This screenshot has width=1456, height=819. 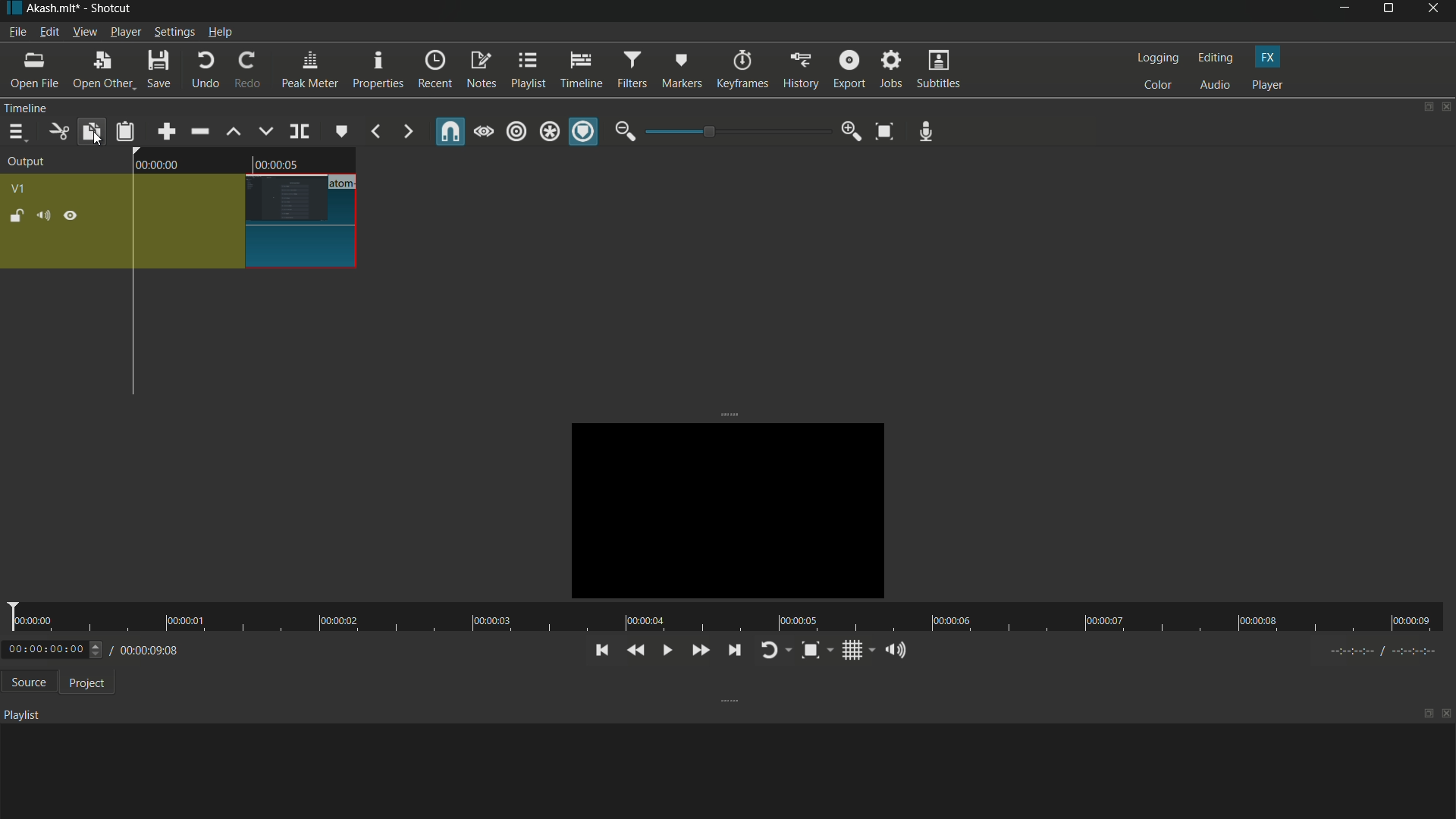 What do you see at coordinates (199, 131) in the screenshot?
I see `ripple delete` at bounding box center [199, 131].